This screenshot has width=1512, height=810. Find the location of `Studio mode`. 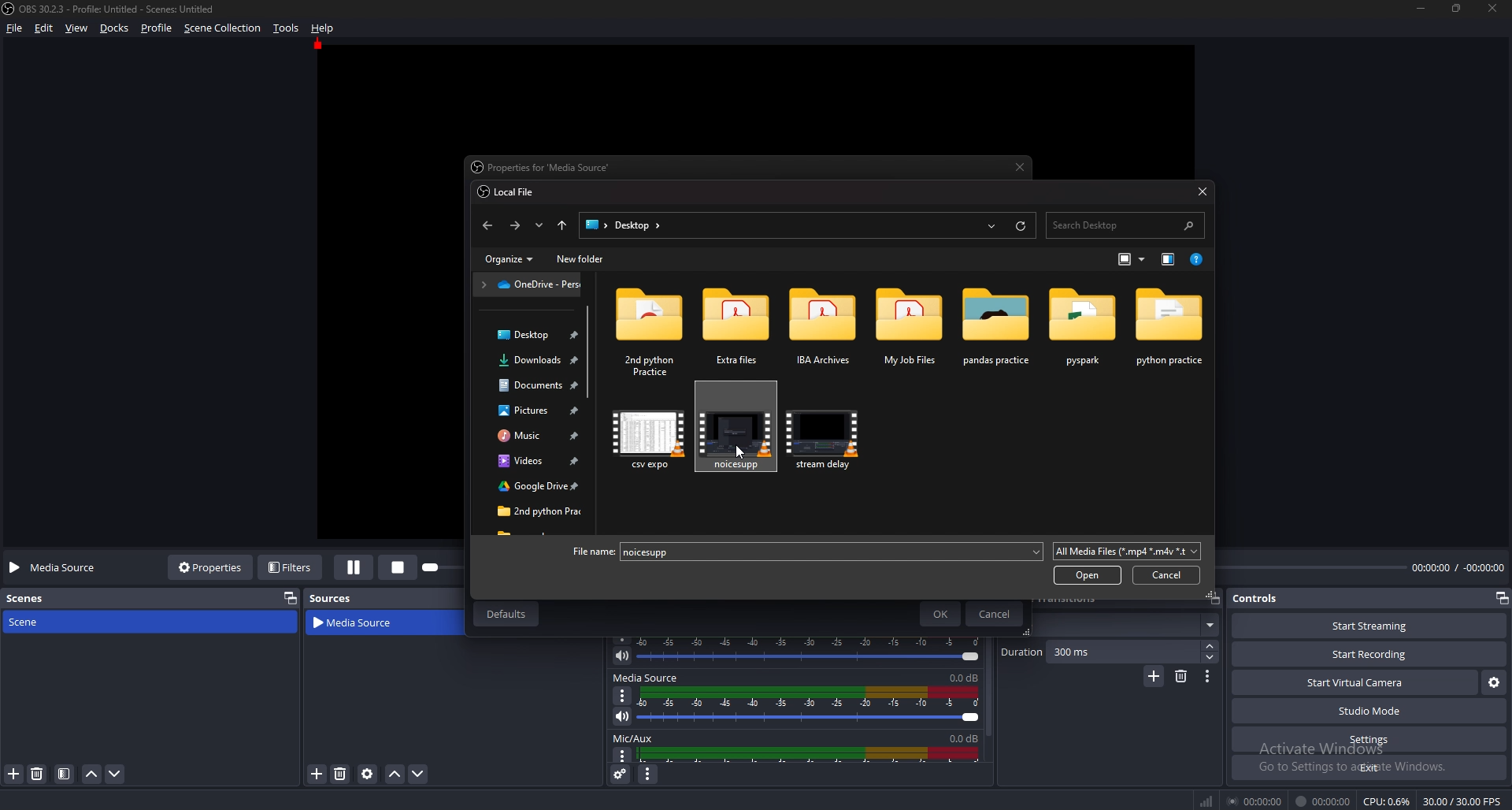

Studio mode is located at coordinates (1370, 711).